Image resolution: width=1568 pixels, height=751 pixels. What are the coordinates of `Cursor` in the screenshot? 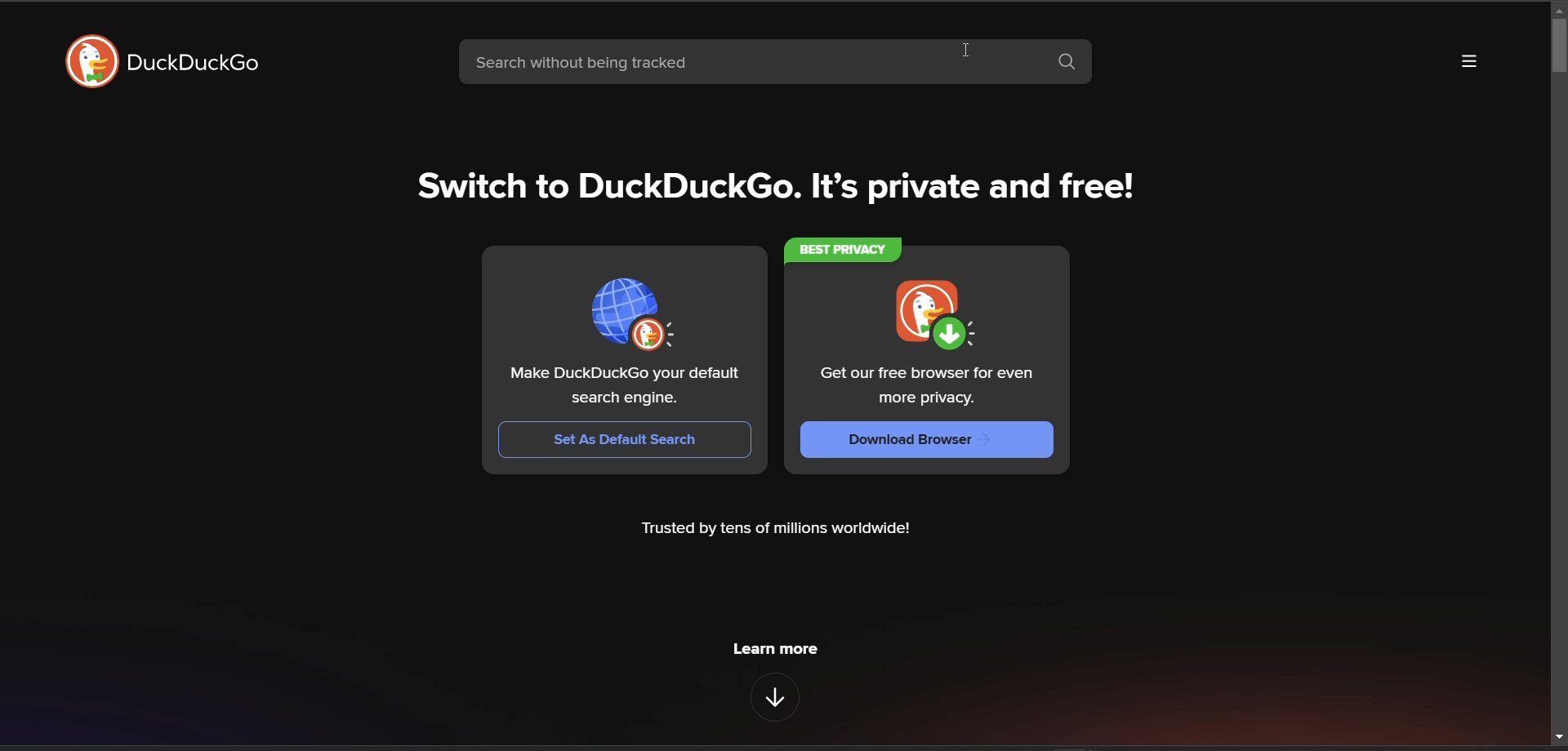 It's located at (966, 50).